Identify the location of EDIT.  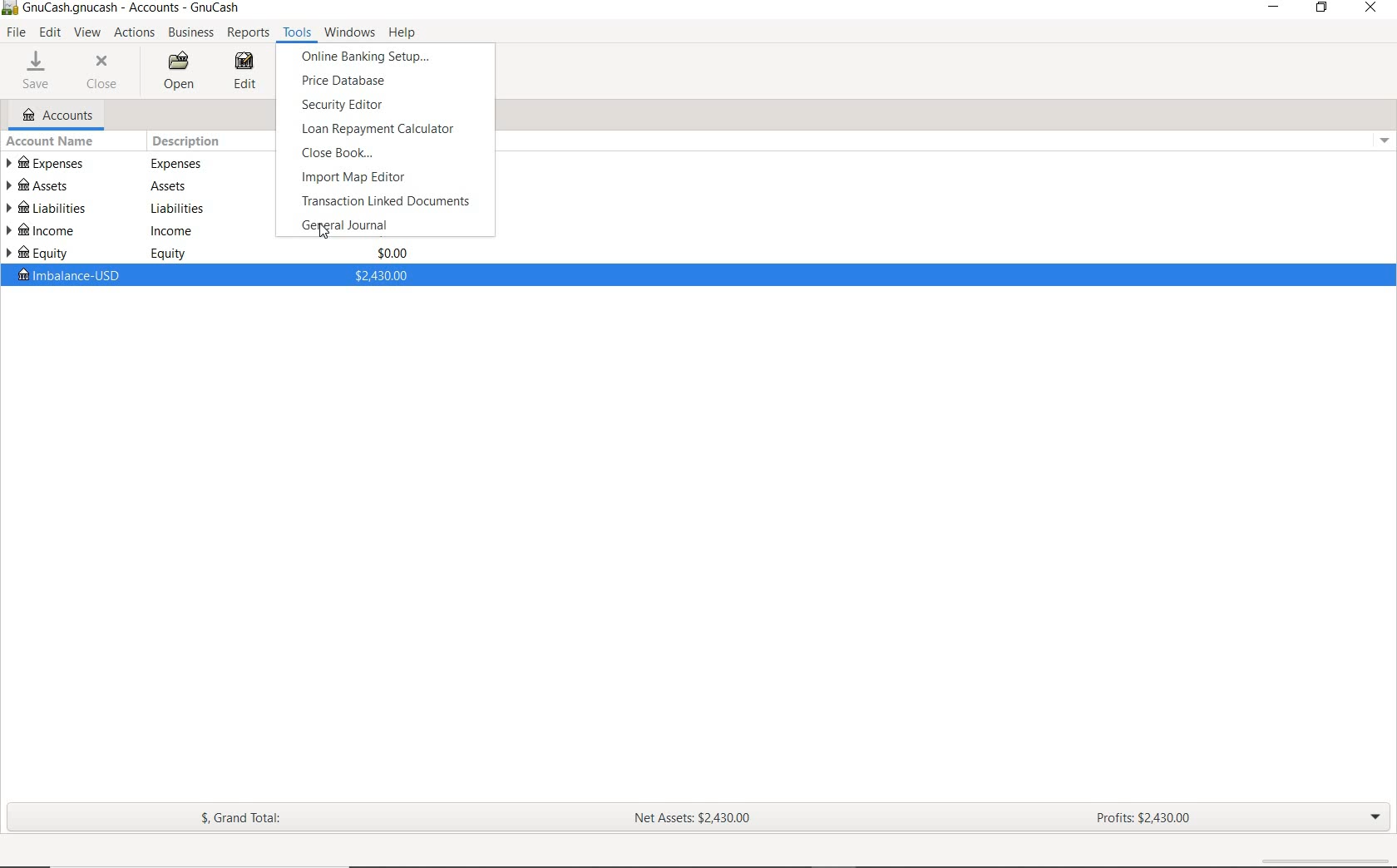
(52, 33).